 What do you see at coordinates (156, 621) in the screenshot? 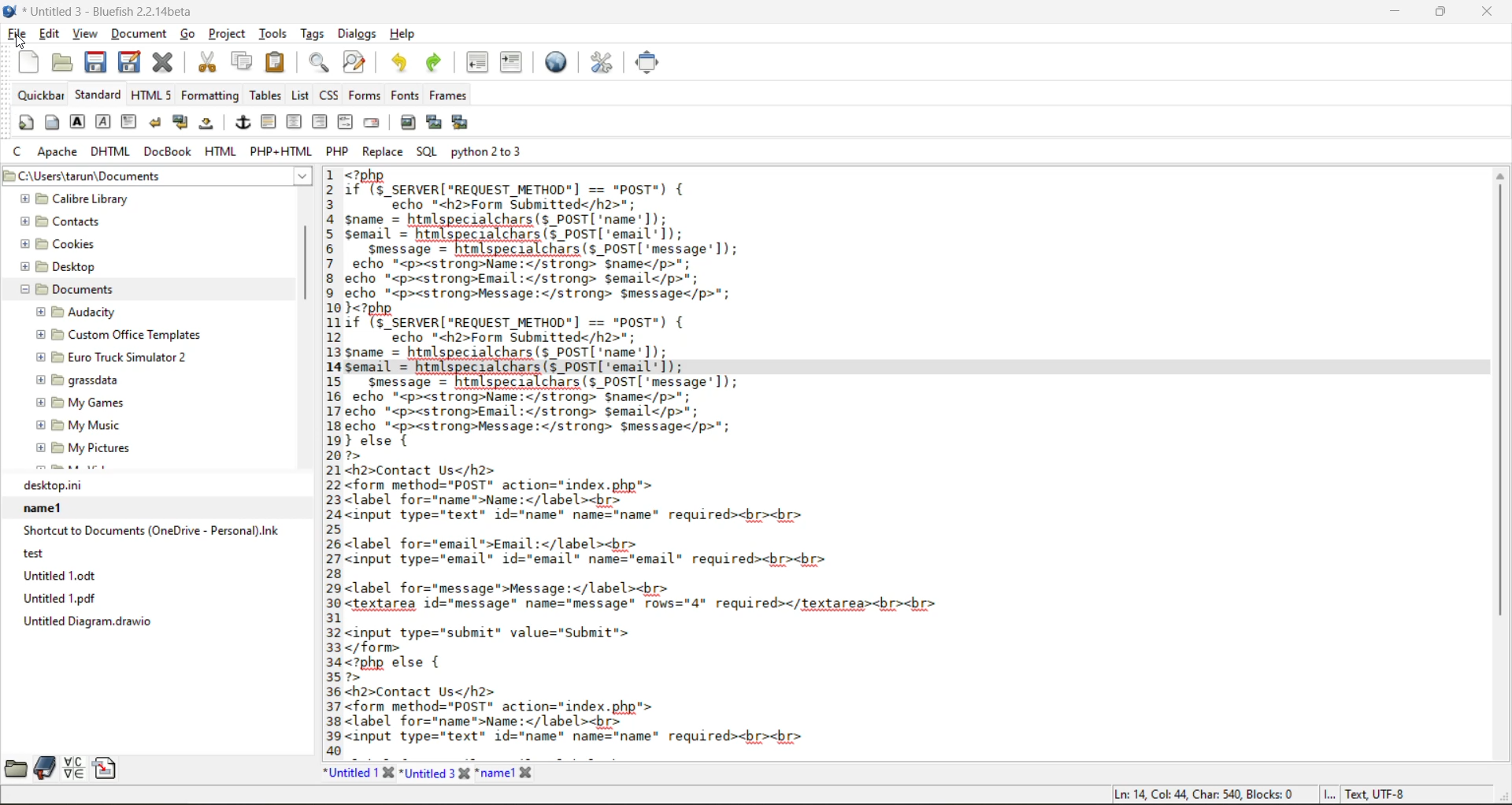
I see `untitle diagram.drawio` at bounding box center [156, 621].